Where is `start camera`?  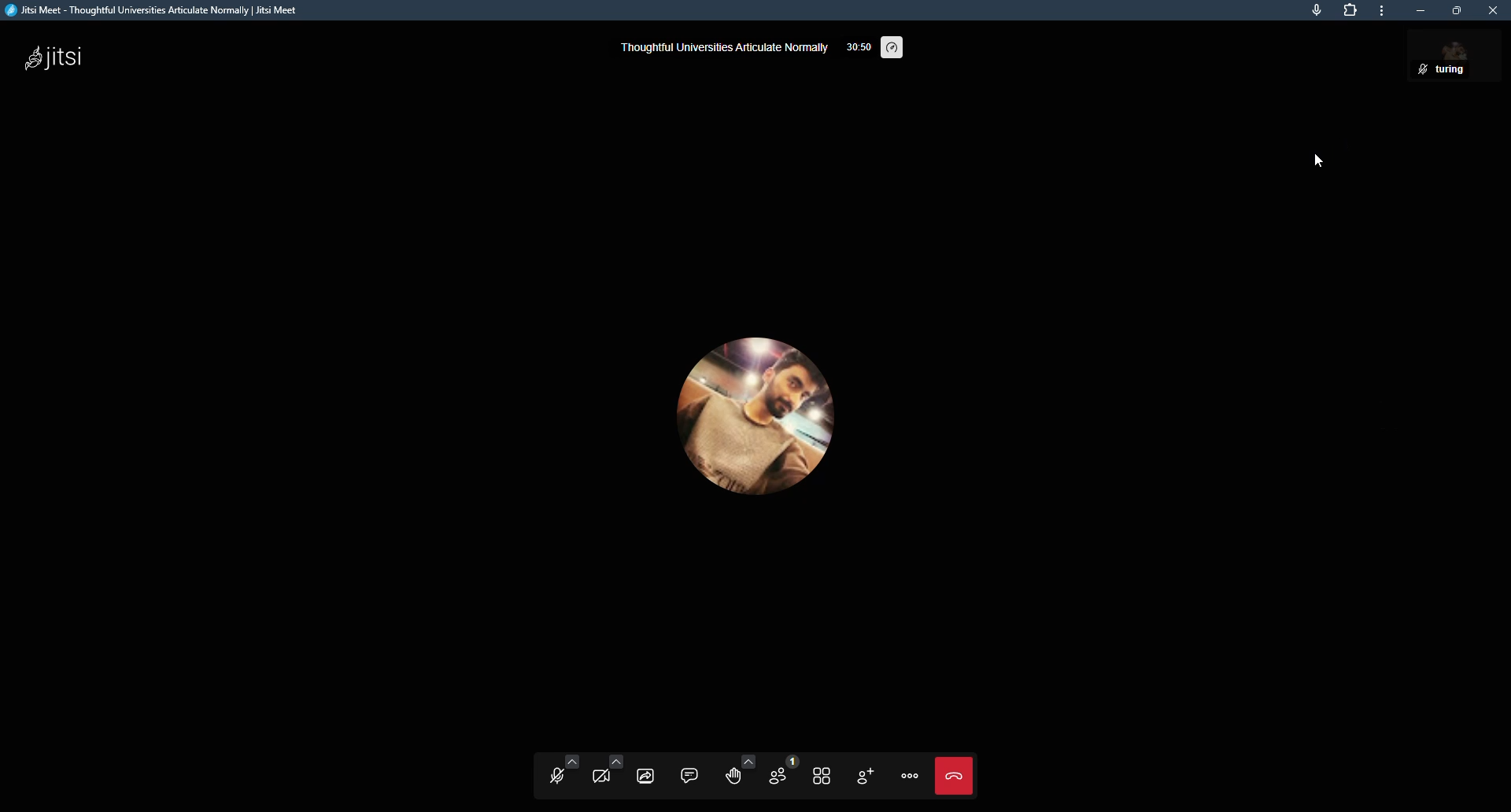
start camera is located at coordinates (605, 773).